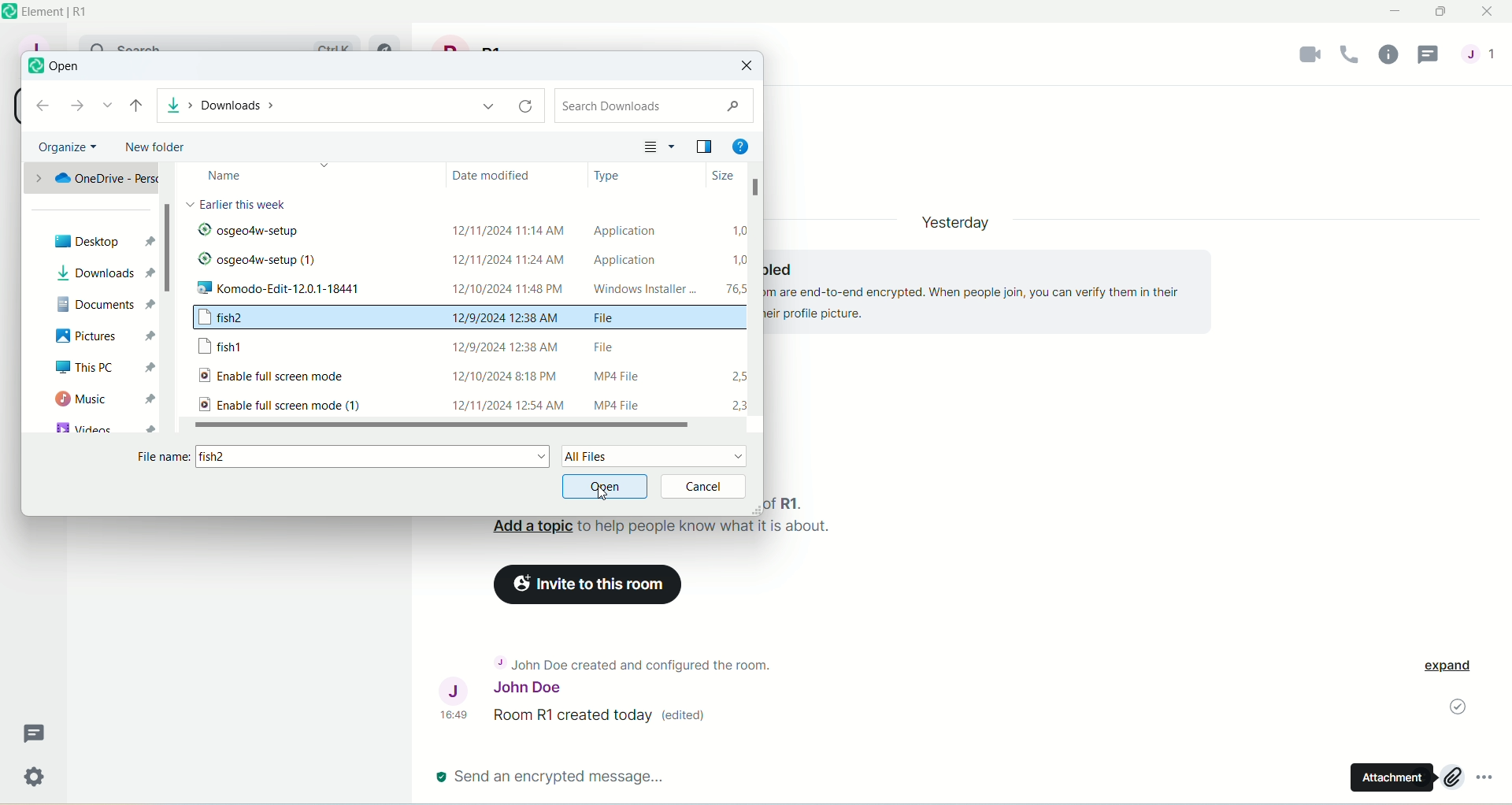  Describe the element at coordinates (171, 302) in the screenshot. I see `vertical scroll bar` at that location.